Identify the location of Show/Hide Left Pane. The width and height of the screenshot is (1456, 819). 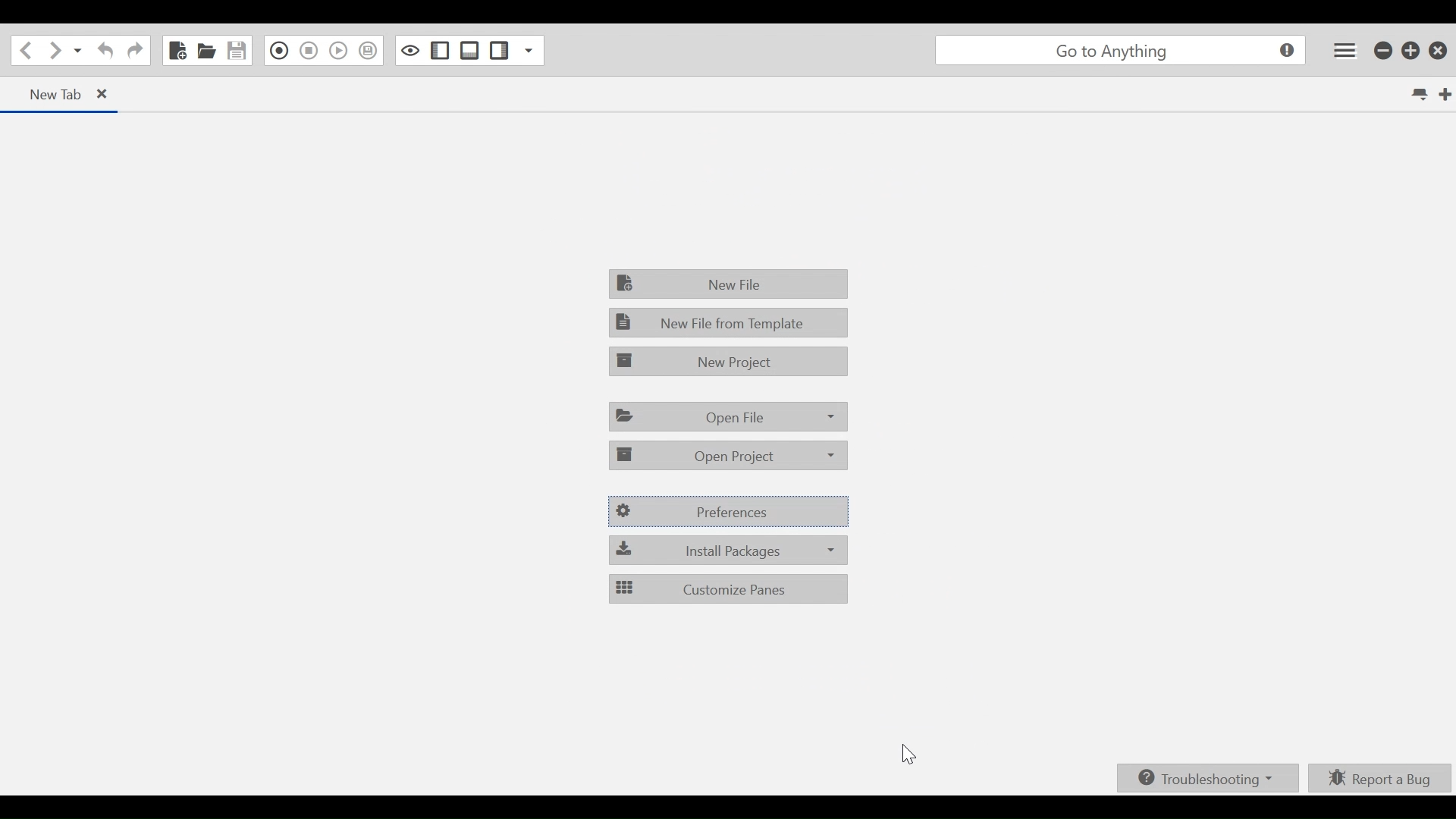
(500, 51).